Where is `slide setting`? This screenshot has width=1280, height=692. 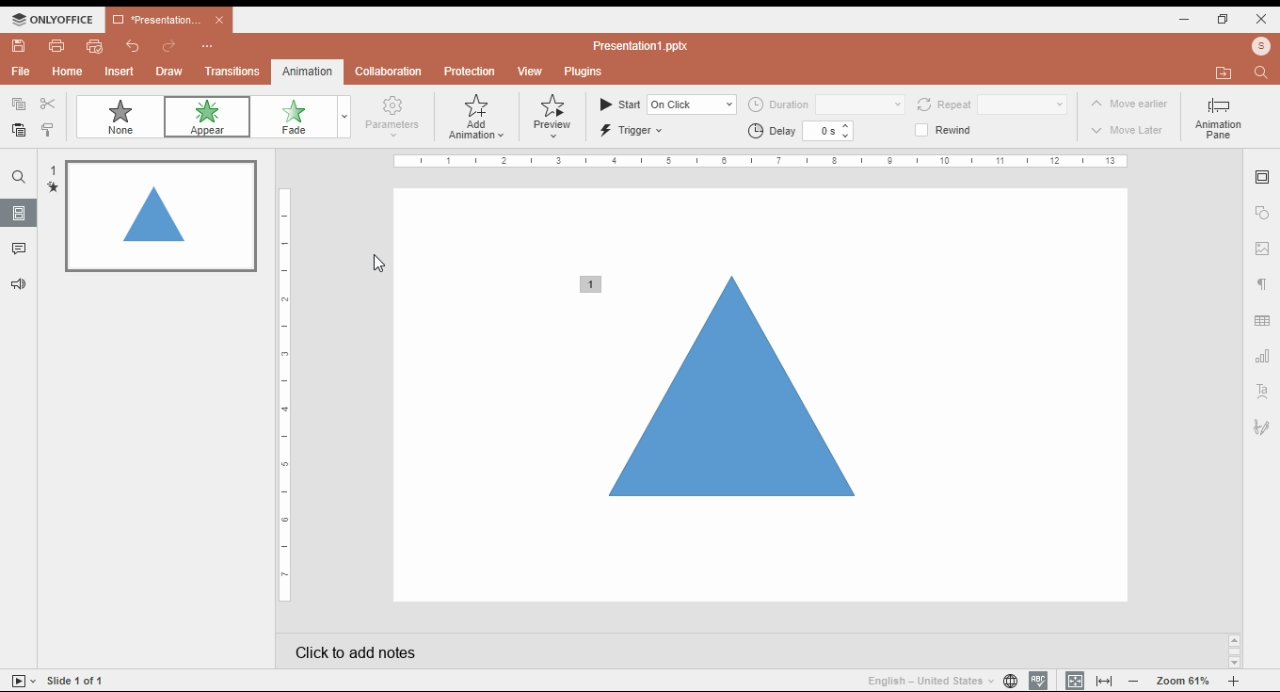
slide setting is located at coordinates (1261, 178).